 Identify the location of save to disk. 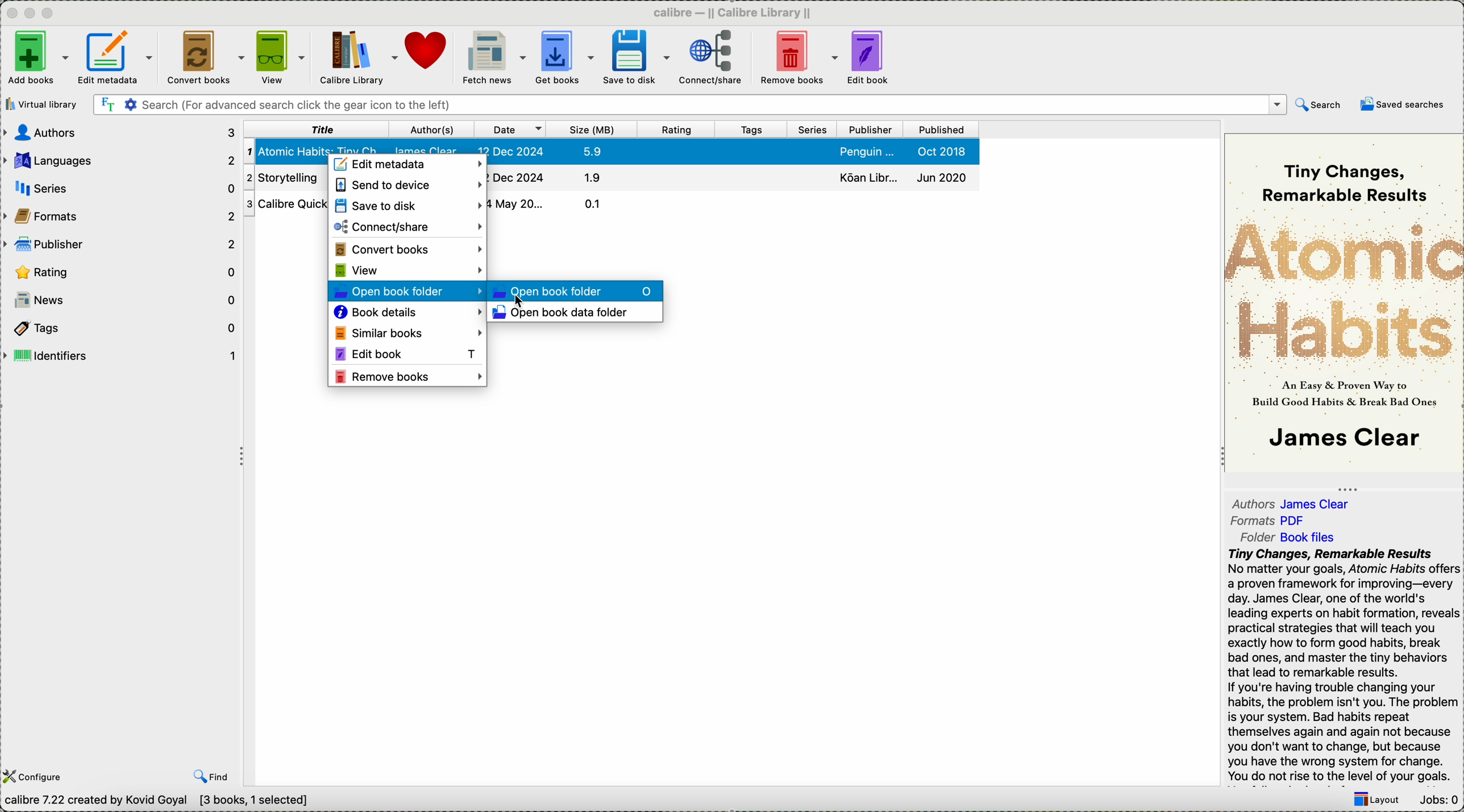
(407, 205).